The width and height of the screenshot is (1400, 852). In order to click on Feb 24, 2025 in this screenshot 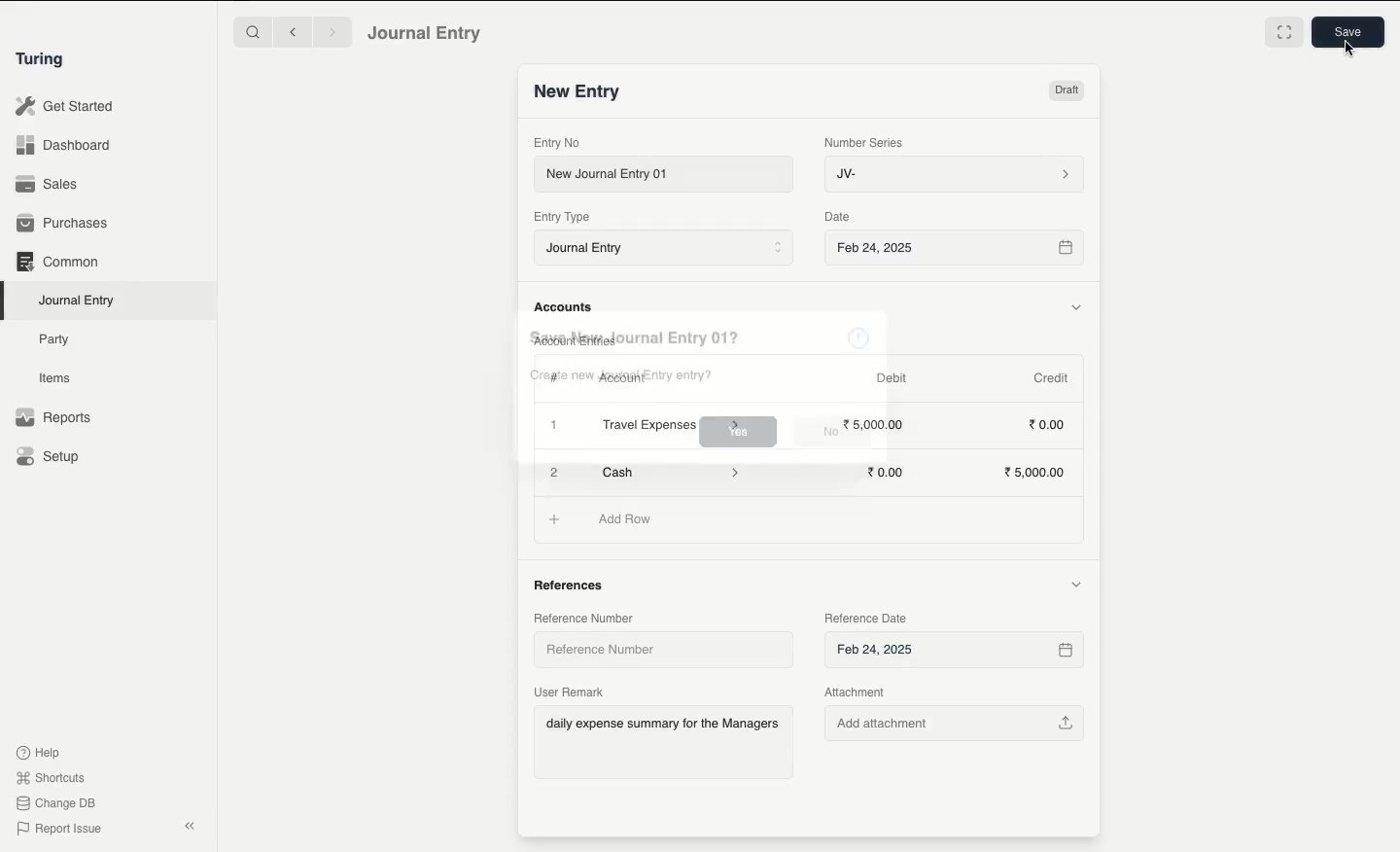, I will do `click(957, 250)`.